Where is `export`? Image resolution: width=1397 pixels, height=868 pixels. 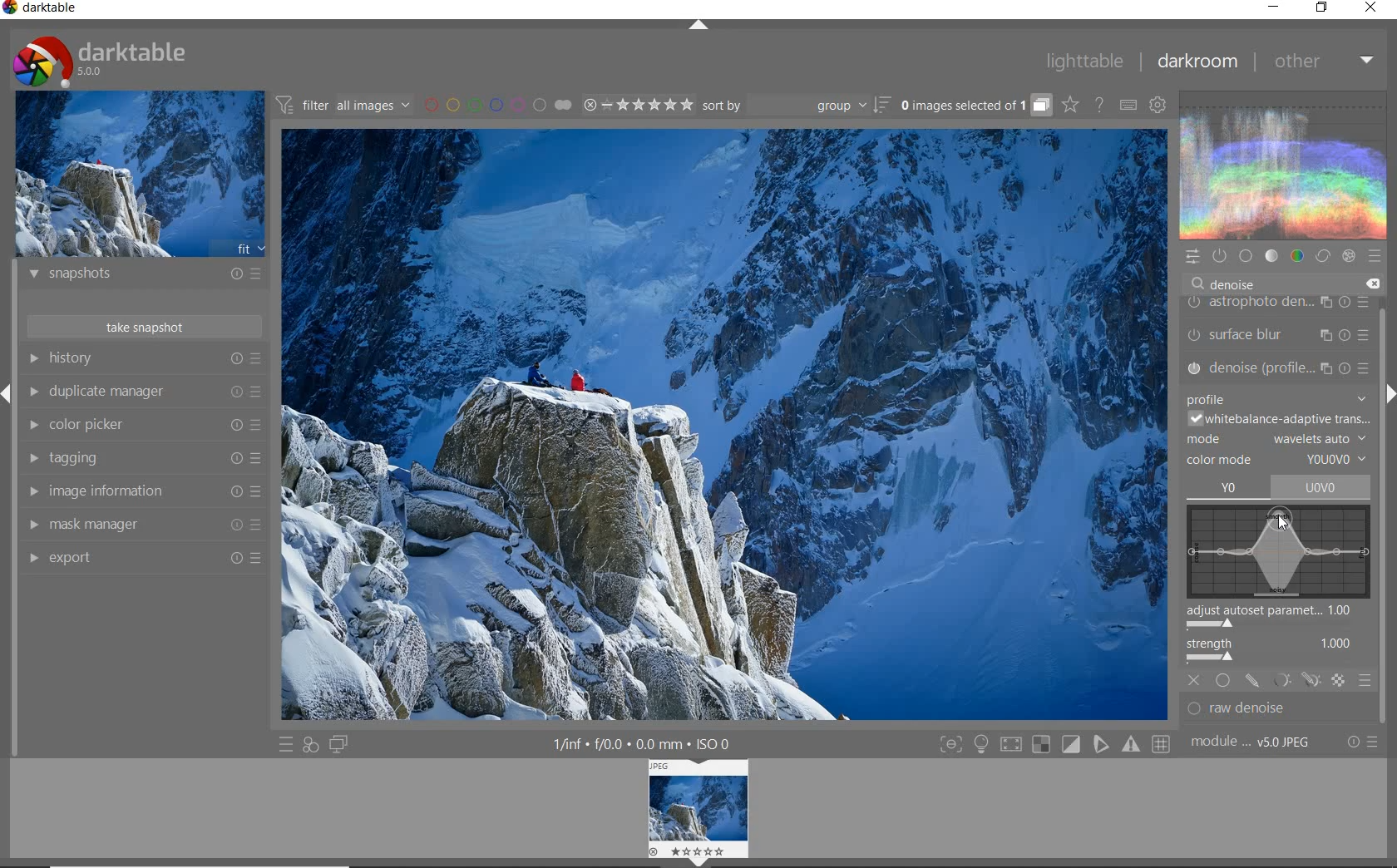
export is located at coordinates (141, 557).